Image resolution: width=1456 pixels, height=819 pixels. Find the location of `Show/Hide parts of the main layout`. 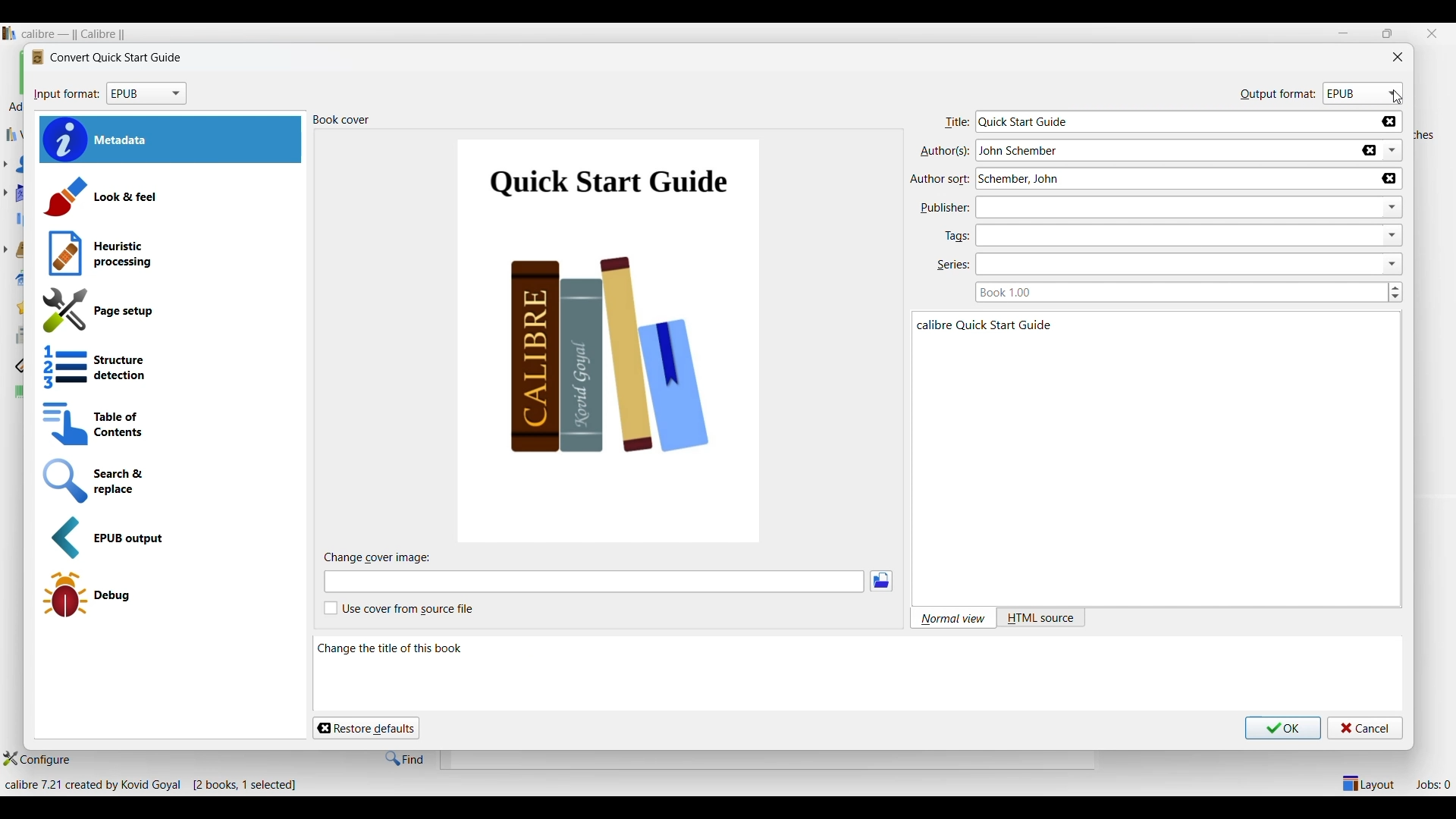

Show/Hide parts of the main layout is located at coordinates (1370, 783).